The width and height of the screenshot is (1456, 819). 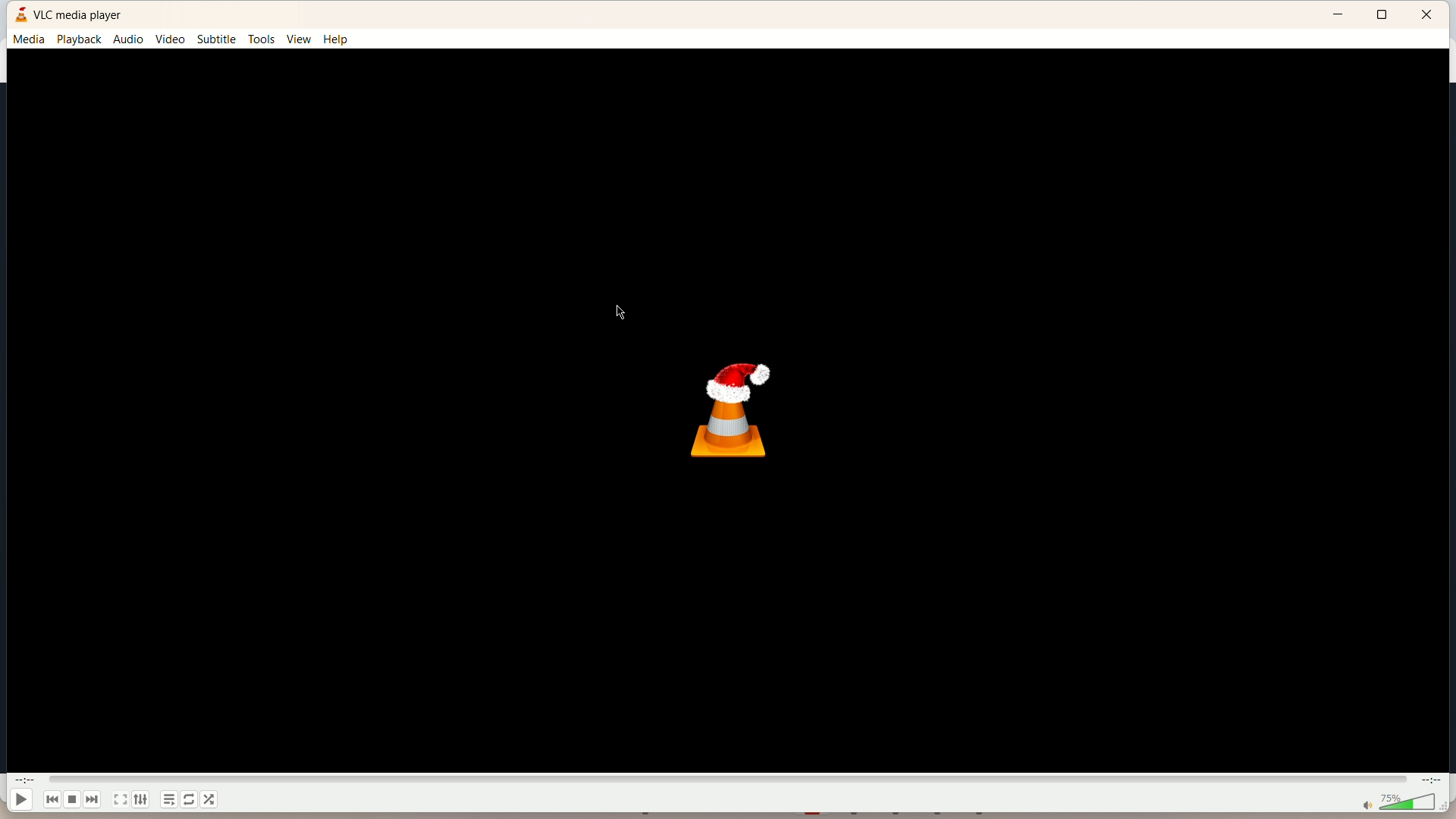 I want to click on VLC MEDIA PALYER, so click(x=81, y=14).